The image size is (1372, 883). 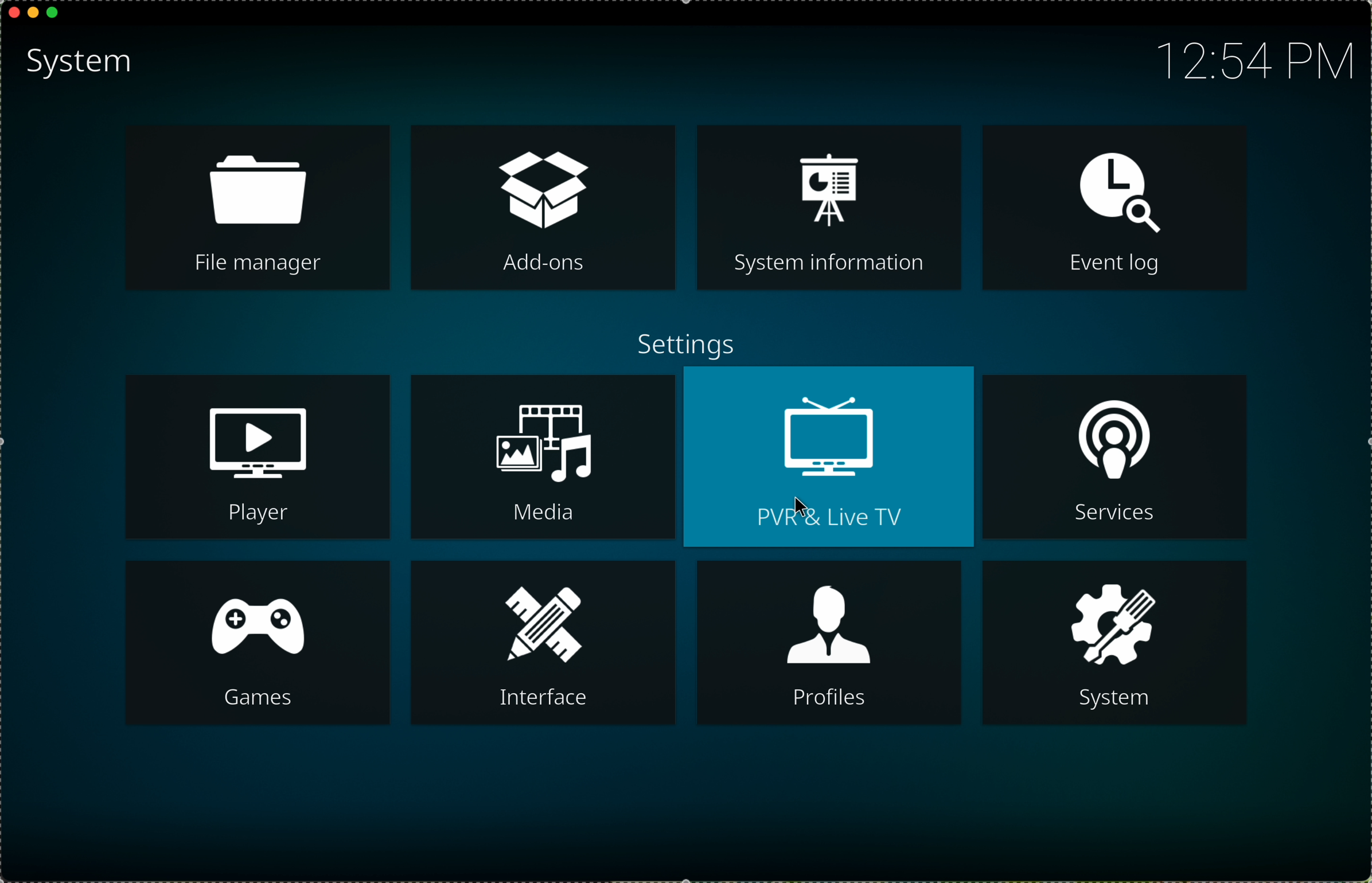 What do you see at coordinates (546, 642) in the screenshot?
I see `interface option` at bounding box center [546, 642].